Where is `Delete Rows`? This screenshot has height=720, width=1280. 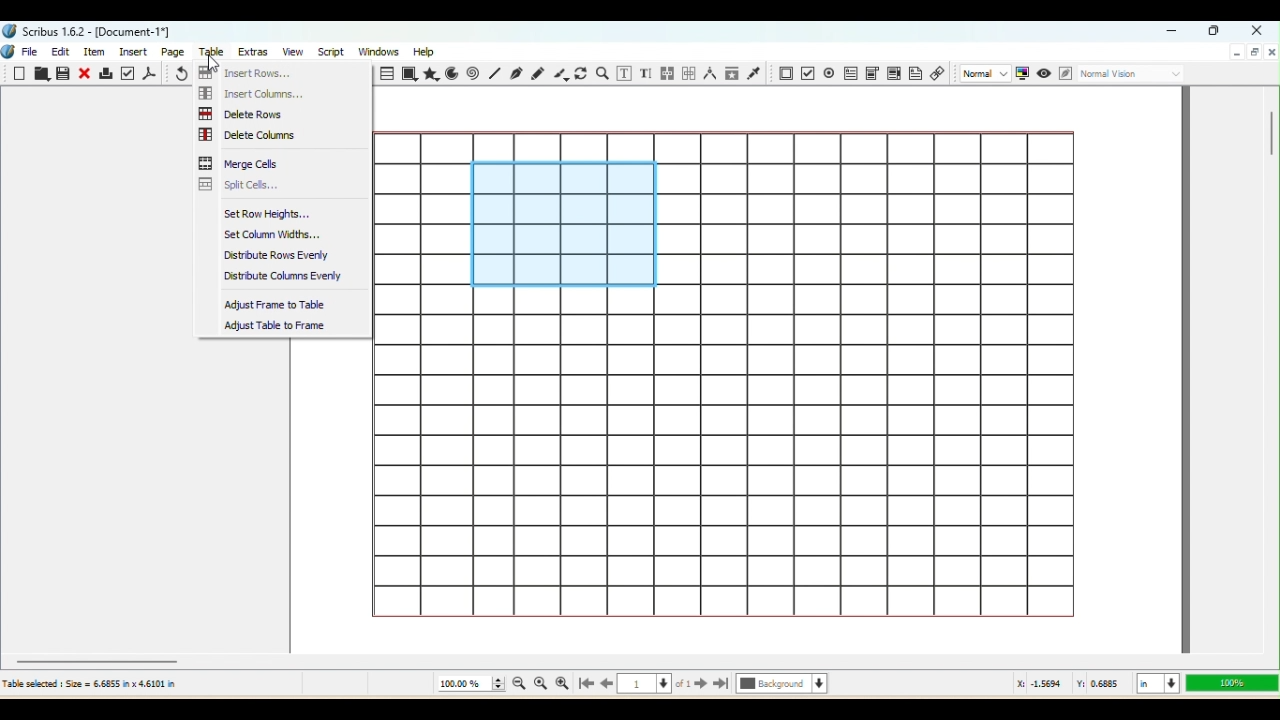 Delete Rows is located at coordinates (245, 113).